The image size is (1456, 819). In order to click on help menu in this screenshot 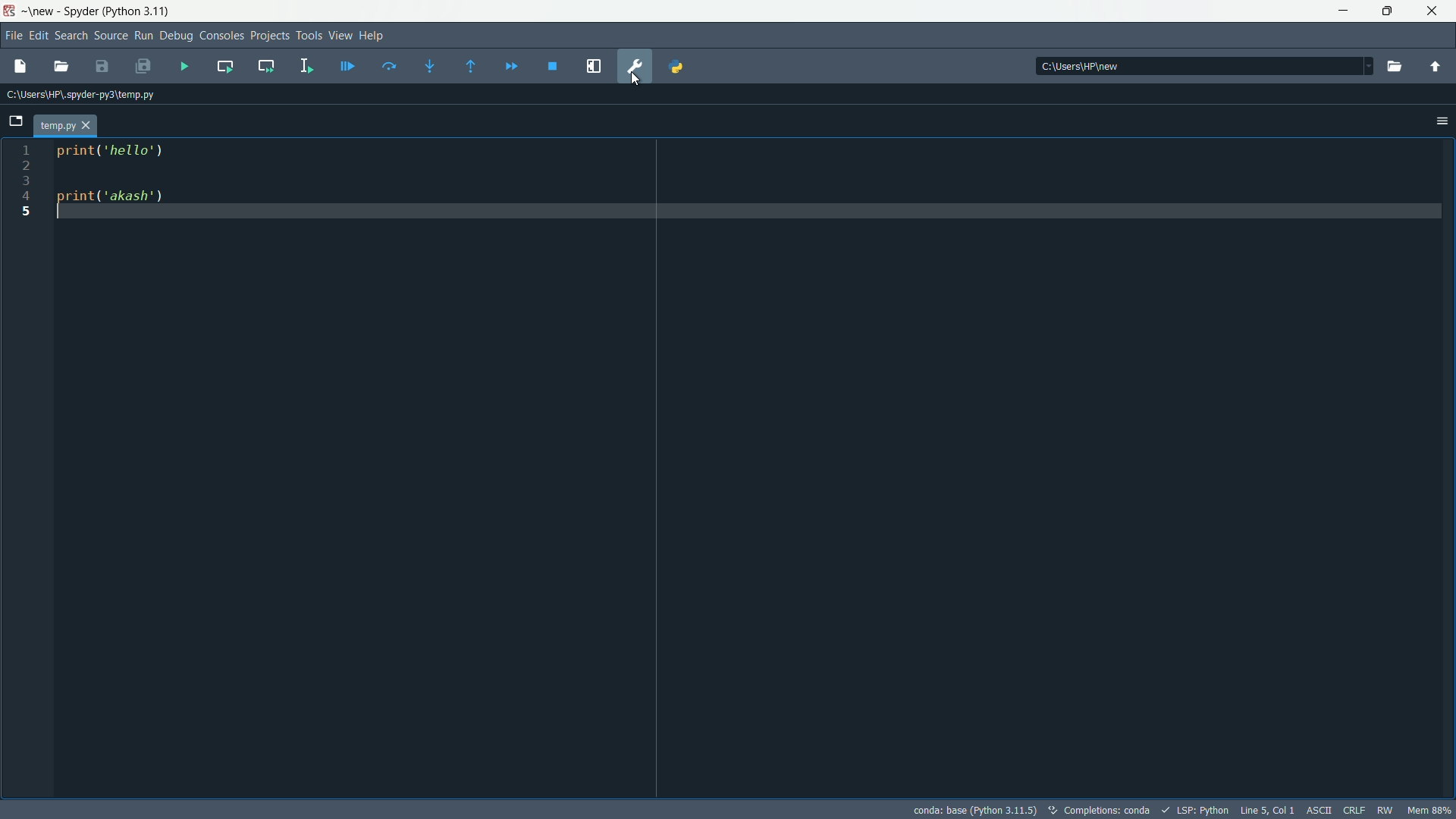, I will do `click(375, 37)`.